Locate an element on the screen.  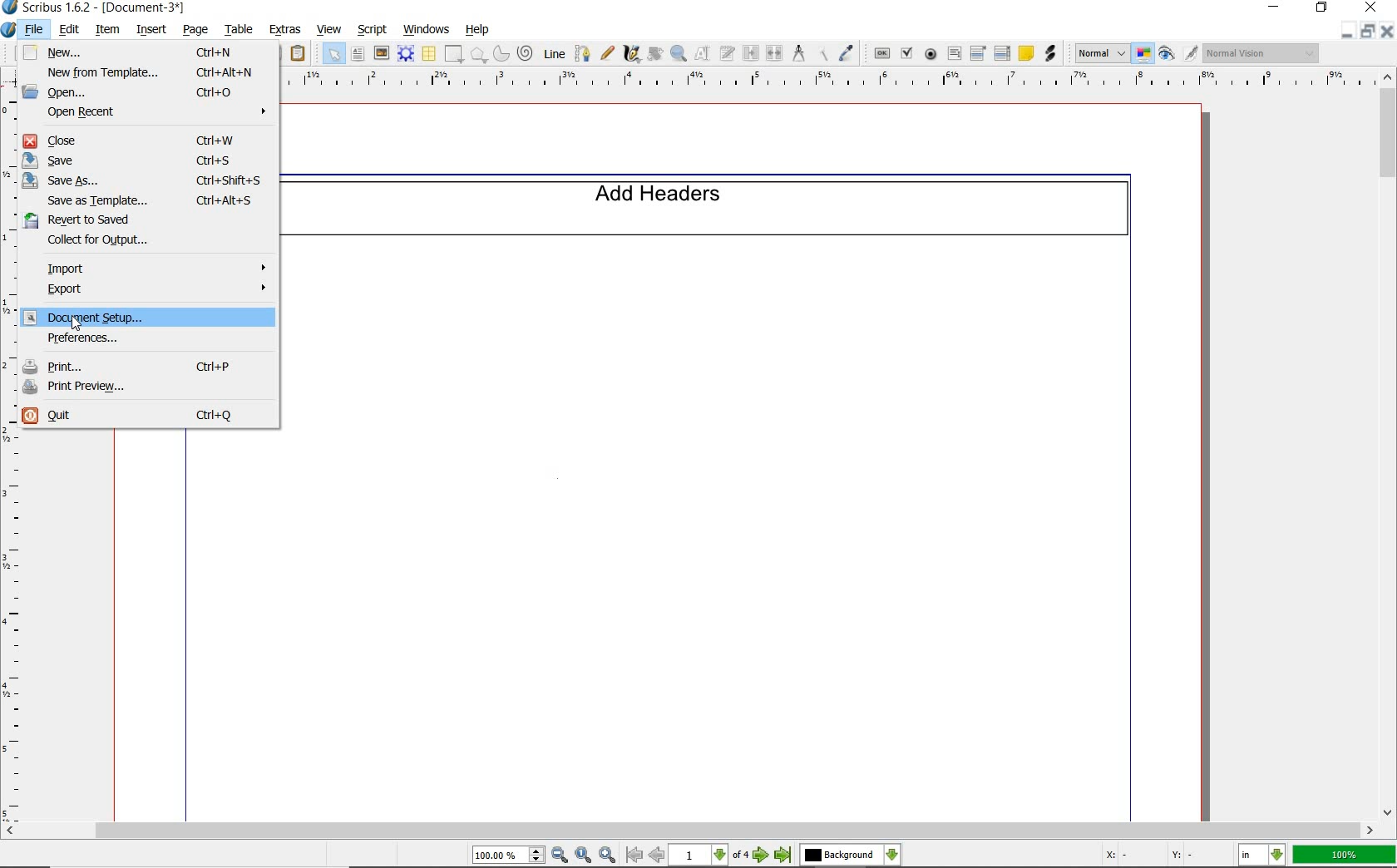
polygon is located at coordinates (477, 55).